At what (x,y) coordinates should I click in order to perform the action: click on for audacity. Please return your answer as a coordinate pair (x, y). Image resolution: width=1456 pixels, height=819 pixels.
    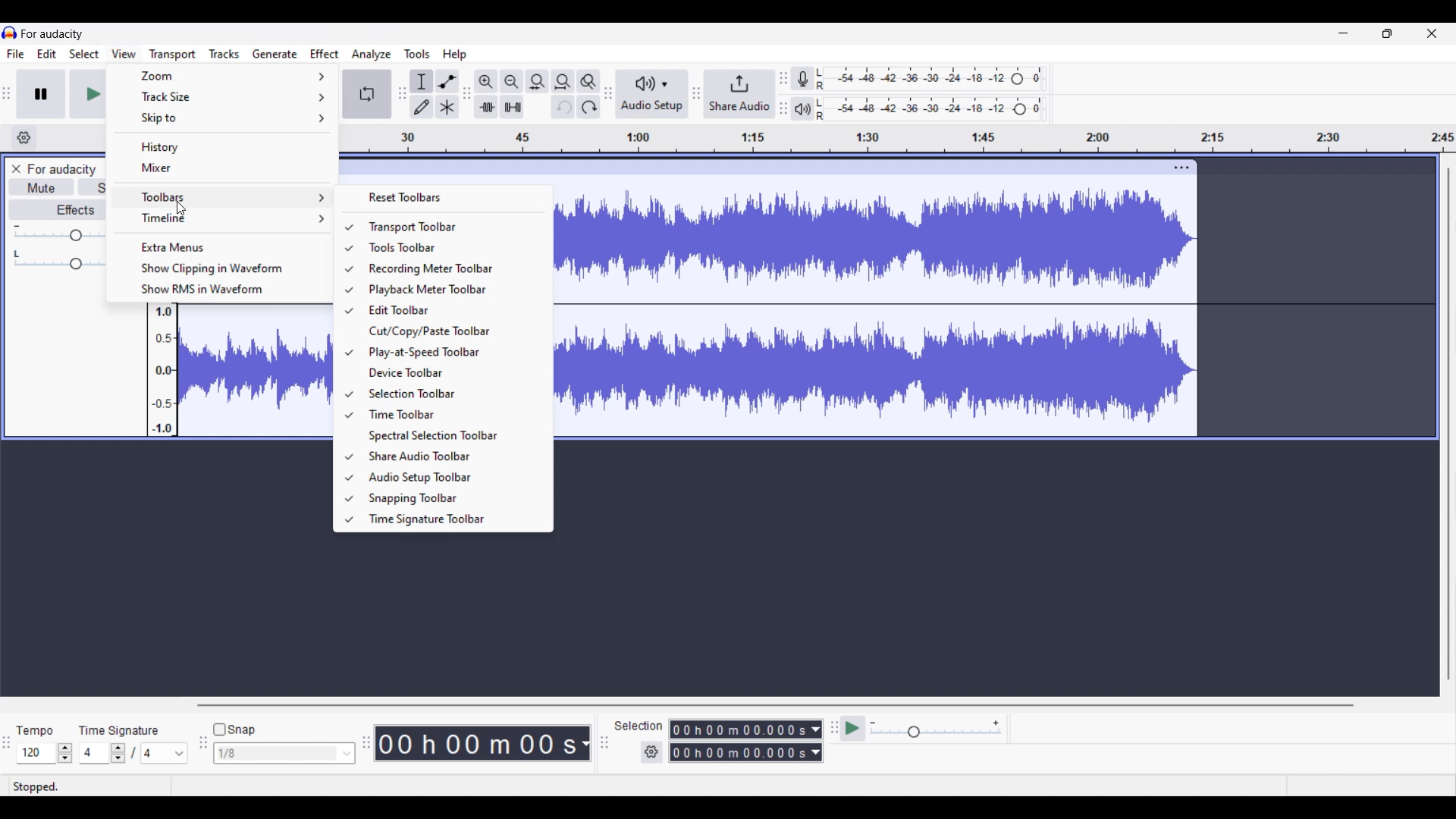
    Looking at the image, I should click on (62, 170).